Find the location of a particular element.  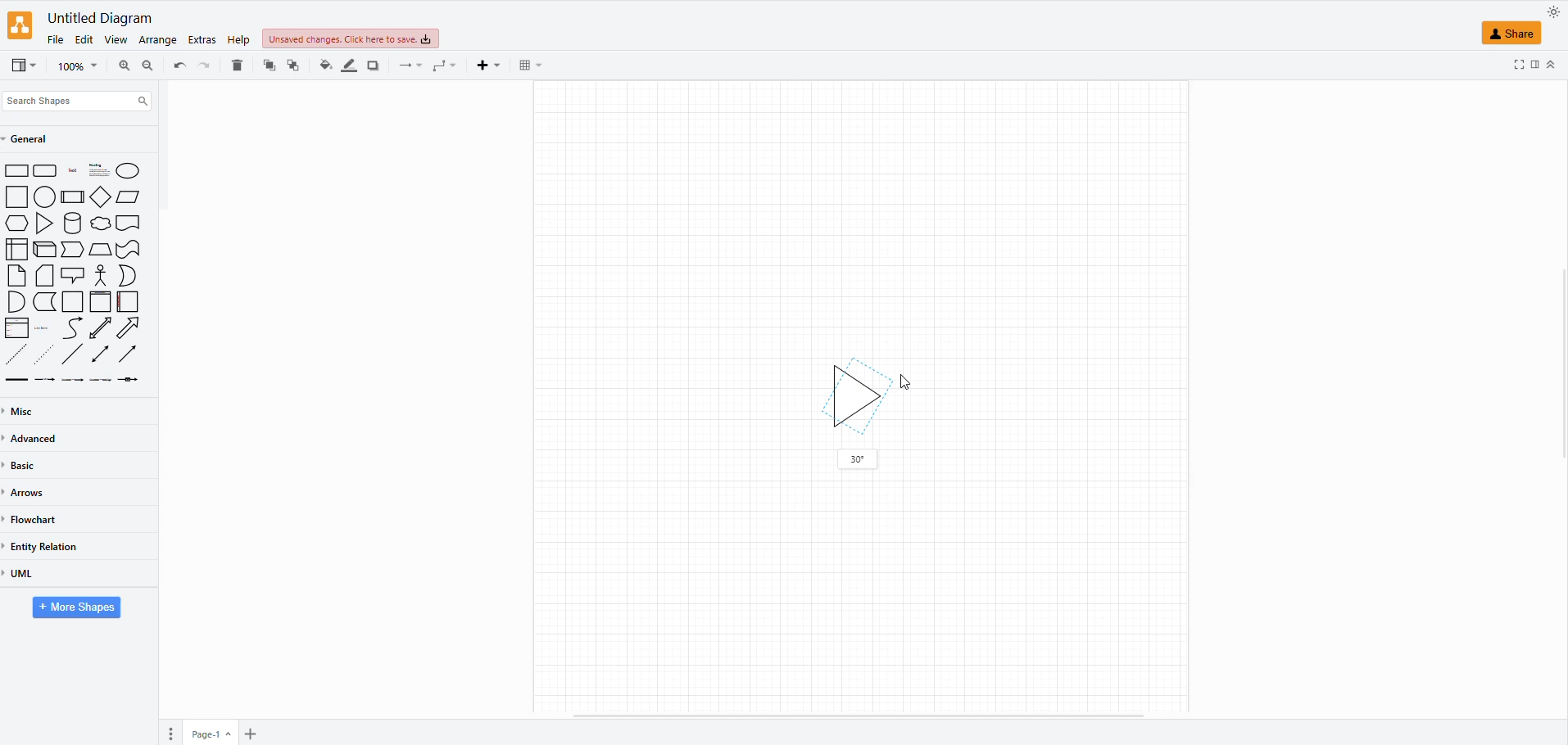

undo is located at coordinates (205, 65).